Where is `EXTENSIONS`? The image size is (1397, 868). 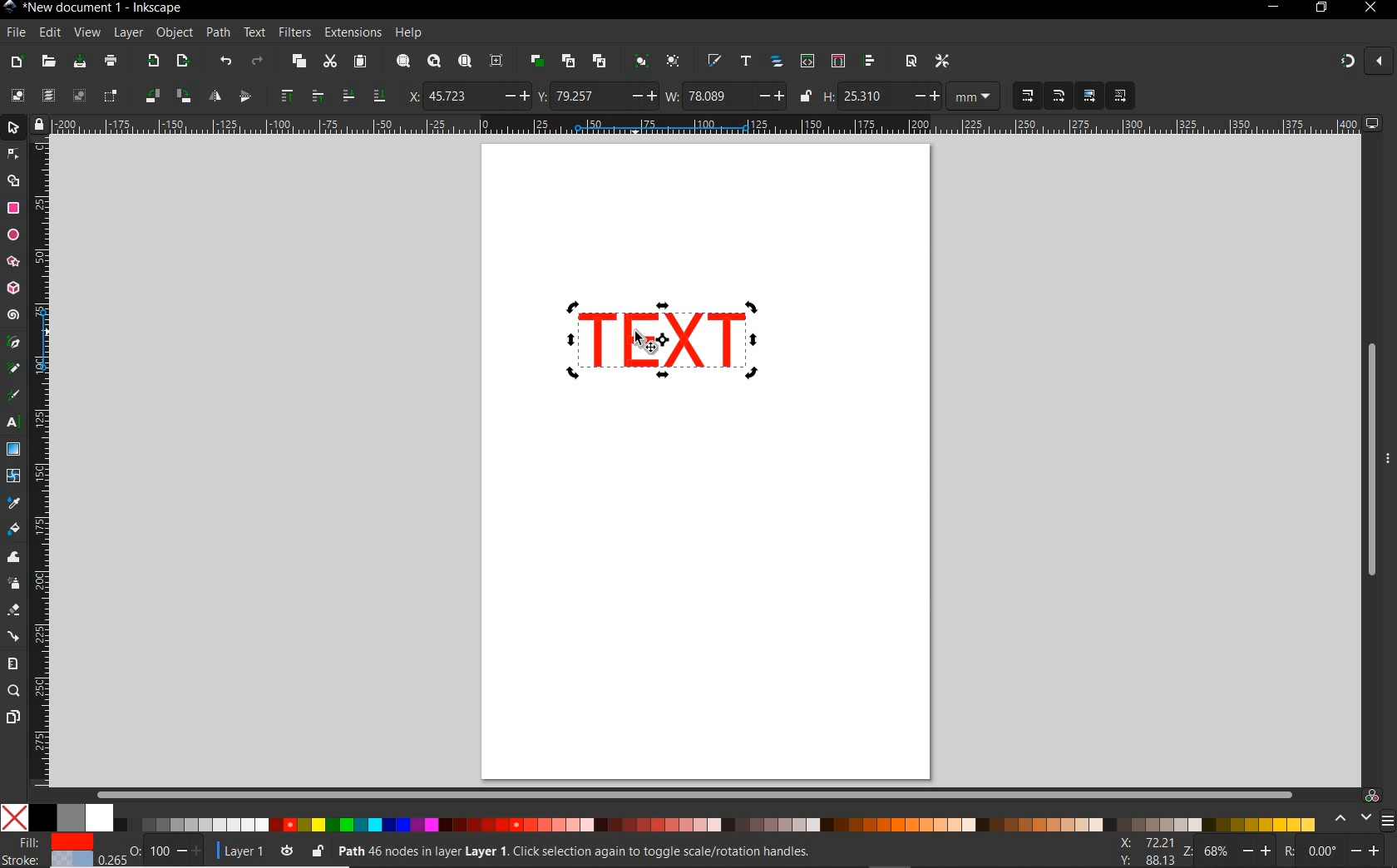
EXTENSIONS is located at coordinates (351, 32).